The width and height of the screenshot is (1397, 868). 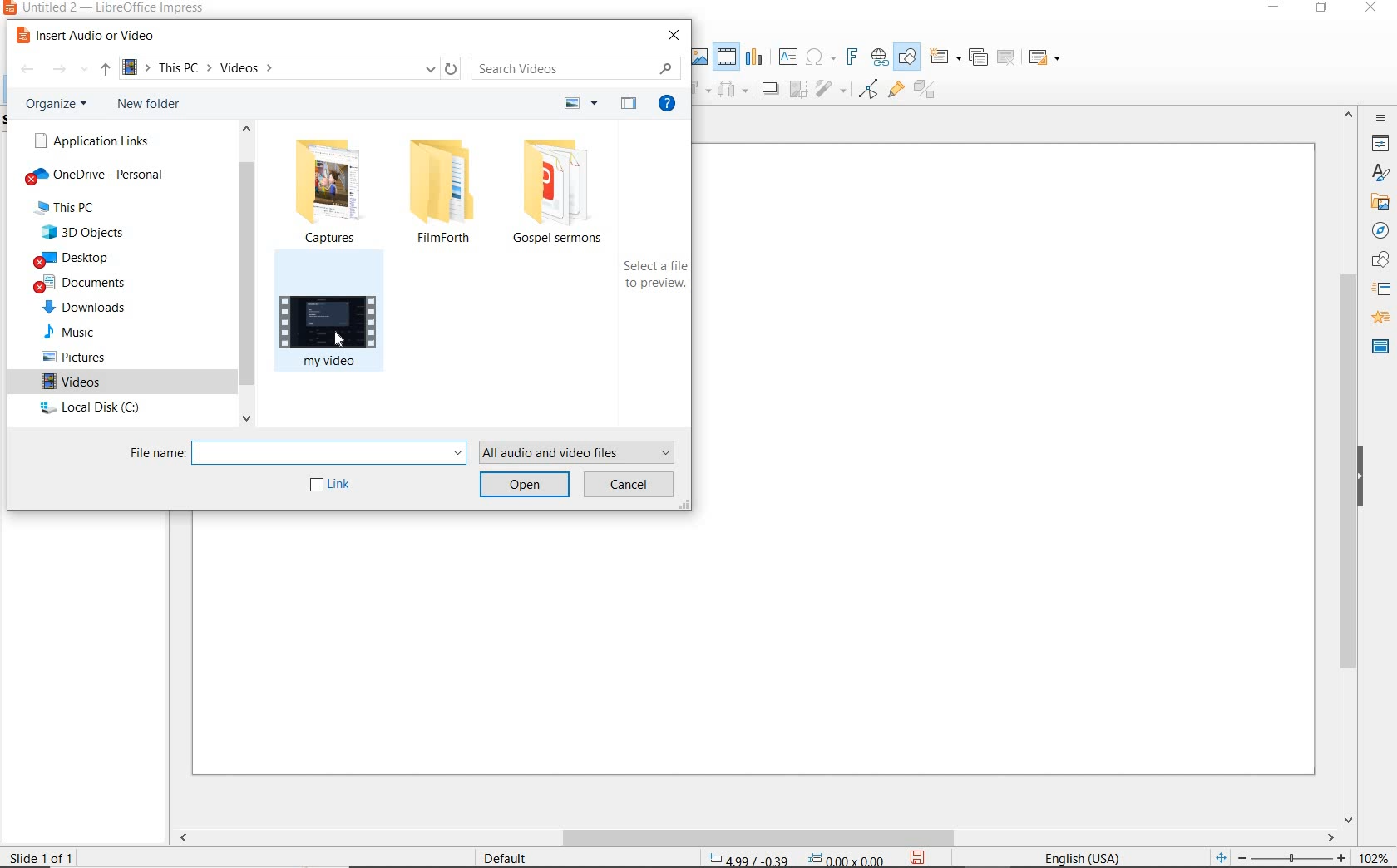 I want to click on SAVE, so click(x=922, y=856).